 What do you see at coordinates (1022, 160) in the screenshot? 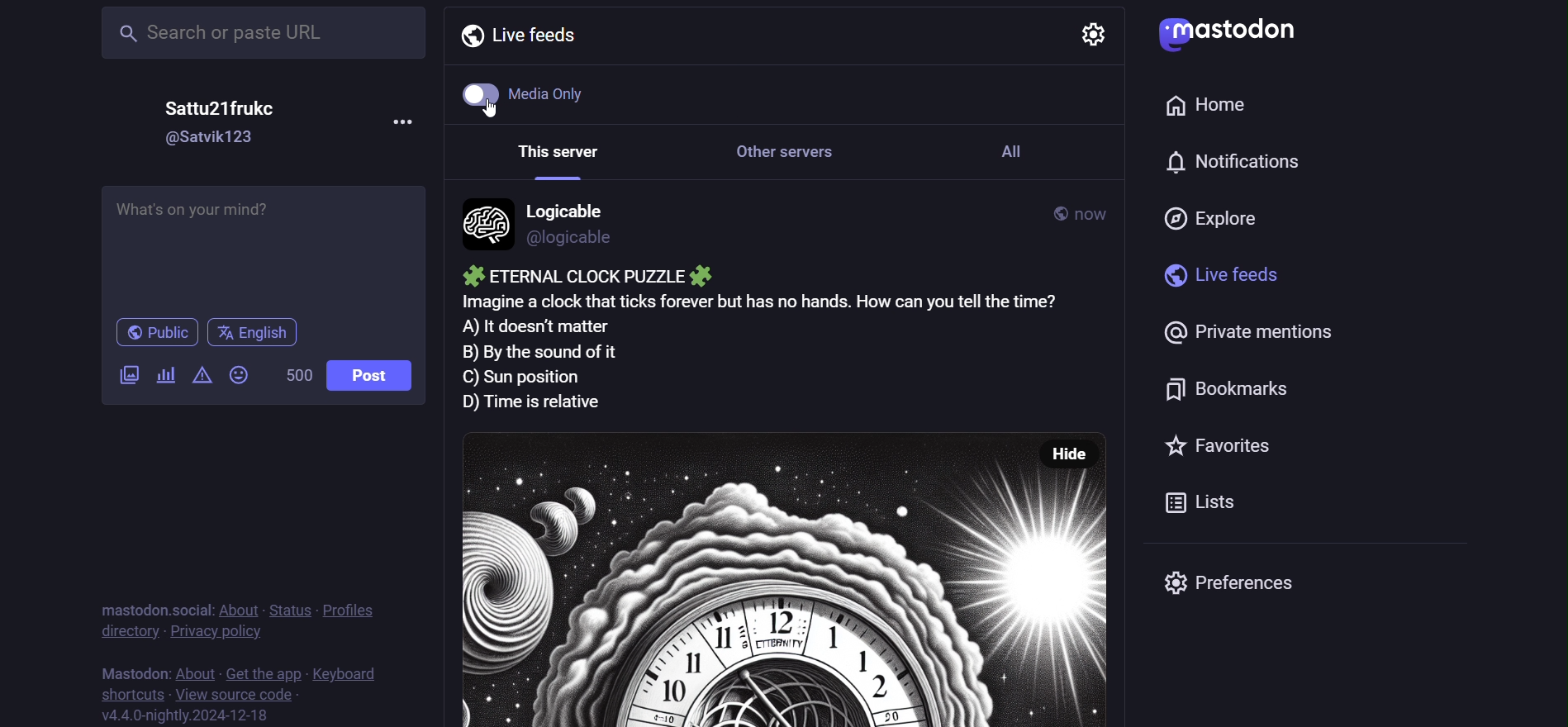
I see `all` at bounding box center [1022, 160].